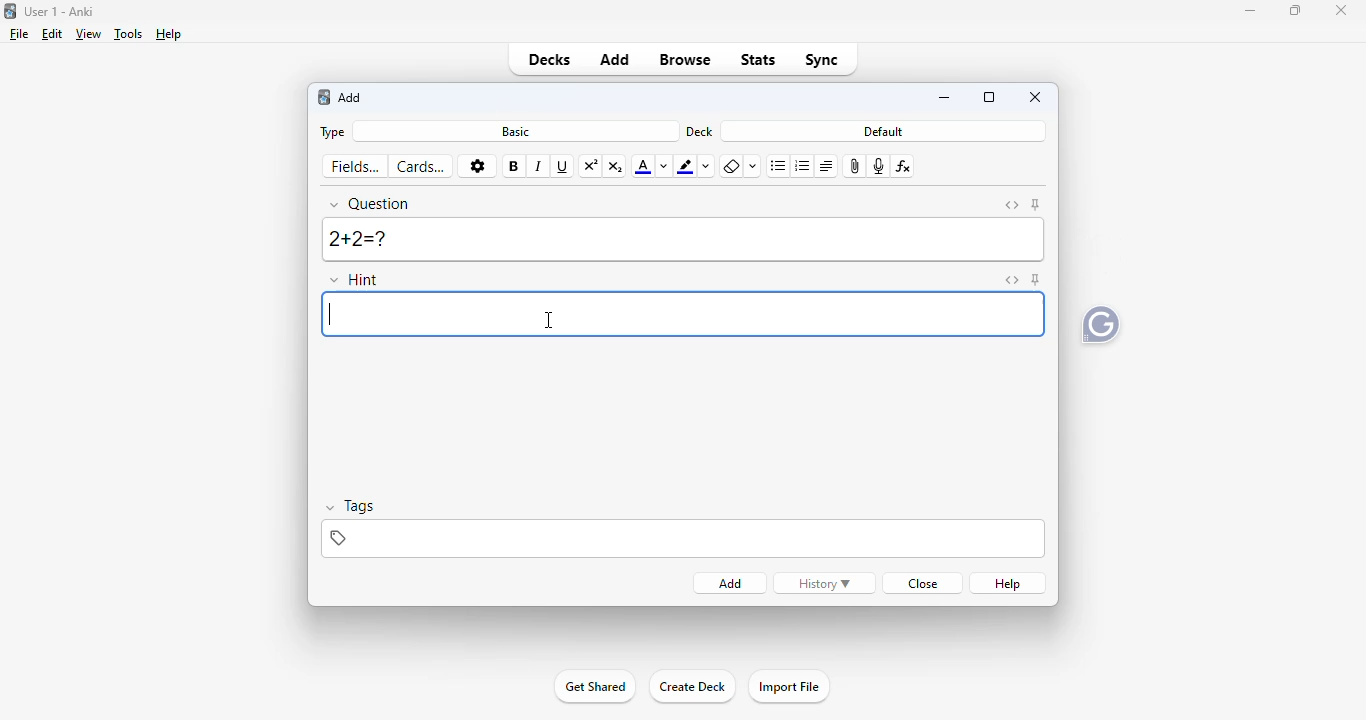  What do you see at coordinates (422, 167) in the screenshot?
I see `cards` at bounding box center [422, 167].